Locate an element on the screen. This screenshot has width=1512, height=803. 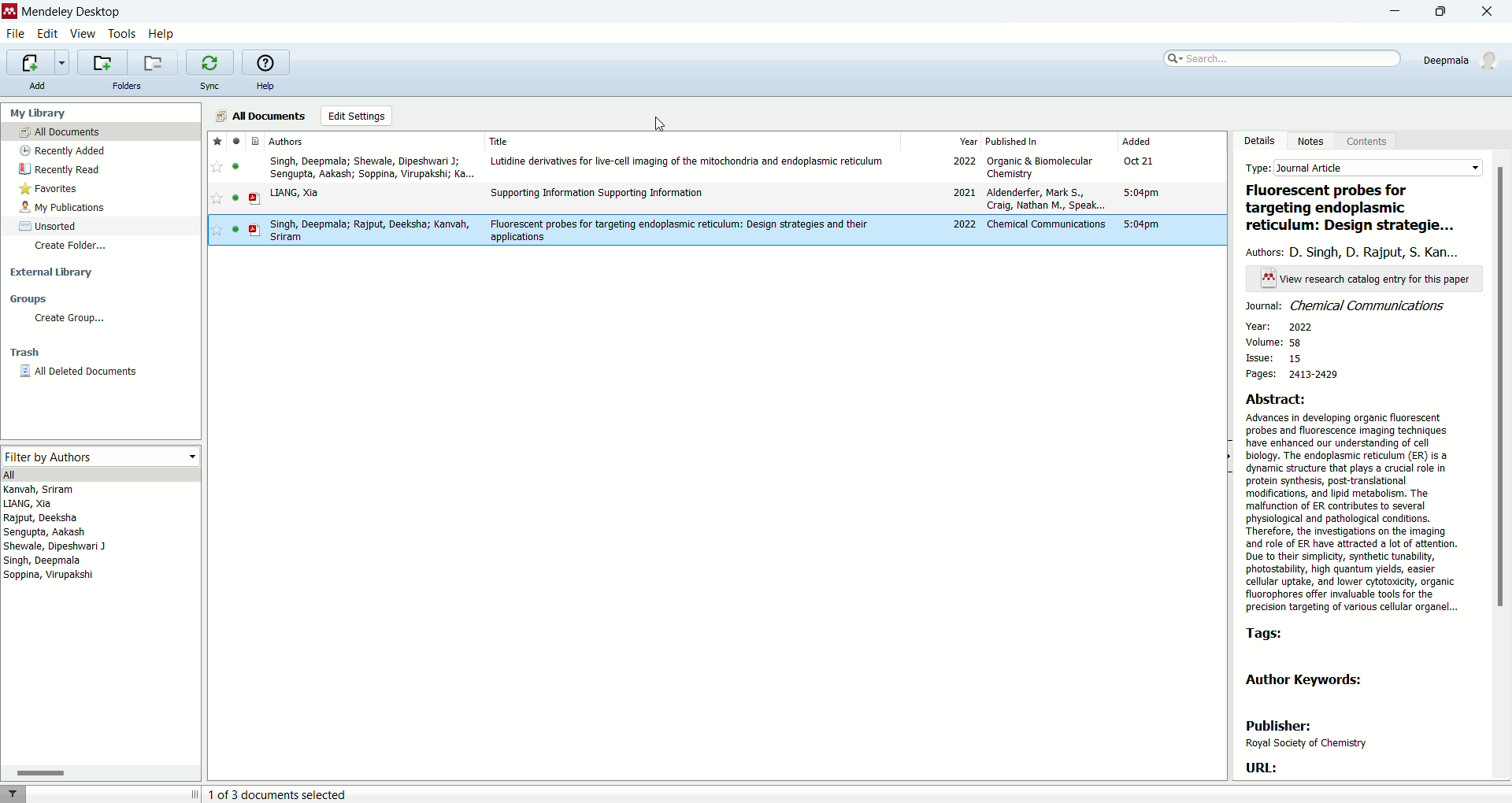
number of document selected is located at coordinates (280, 794).